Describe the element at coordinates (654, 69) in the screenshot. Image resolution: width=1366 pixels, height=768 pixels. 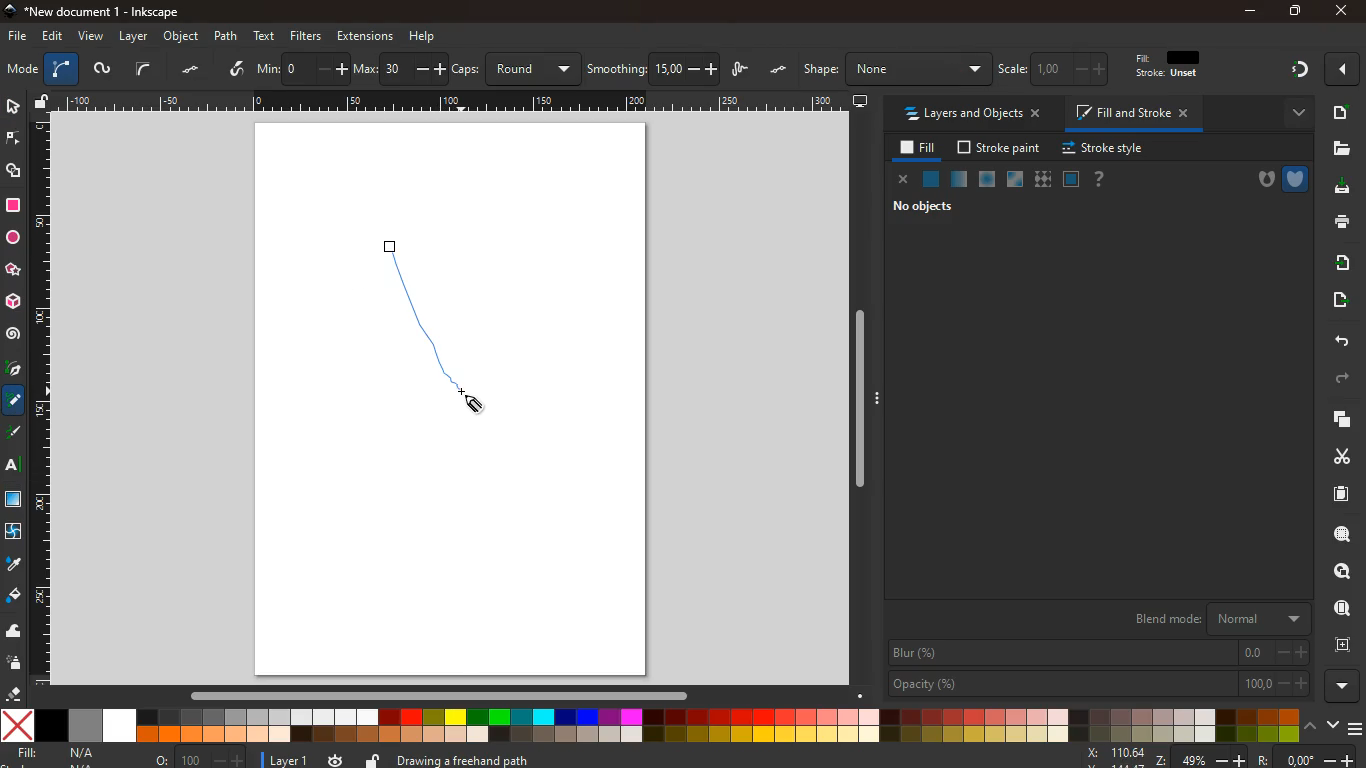
I see `smoothing` at that location.